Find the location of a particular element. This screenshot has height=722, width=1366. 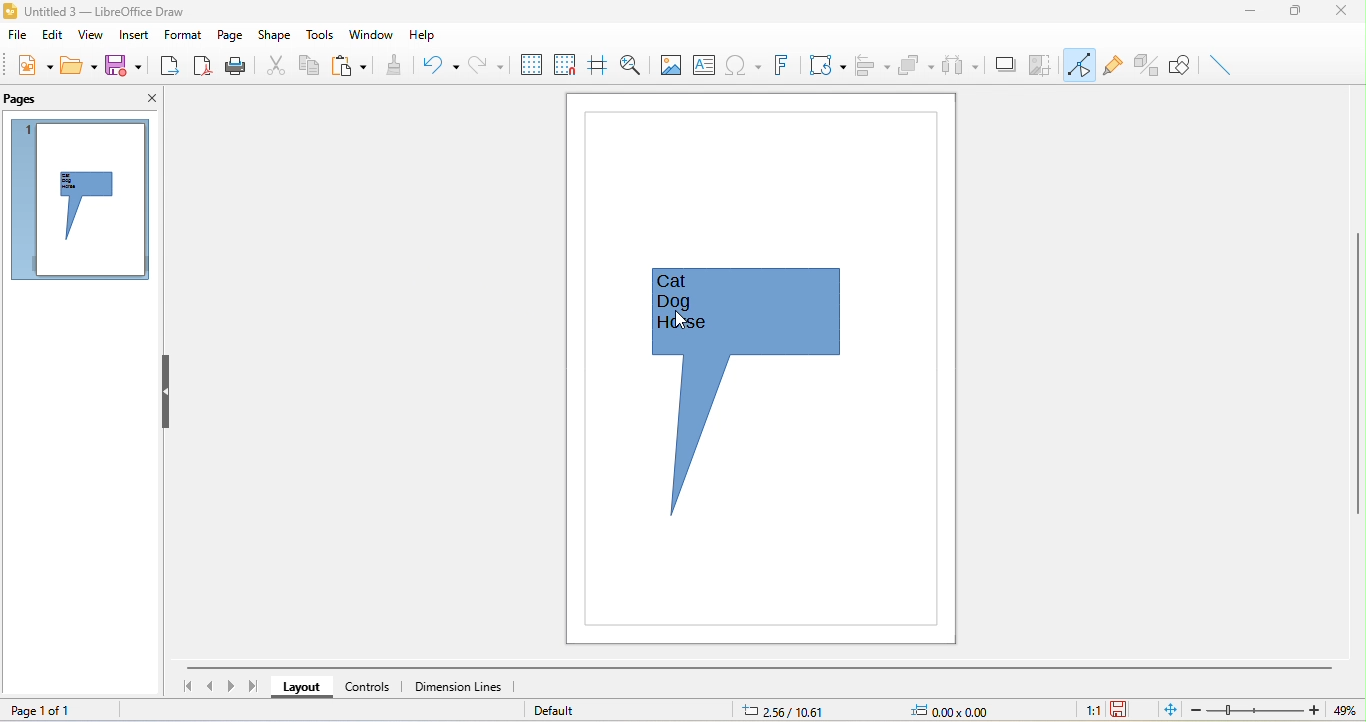

export is located at coordinates (165, 68).